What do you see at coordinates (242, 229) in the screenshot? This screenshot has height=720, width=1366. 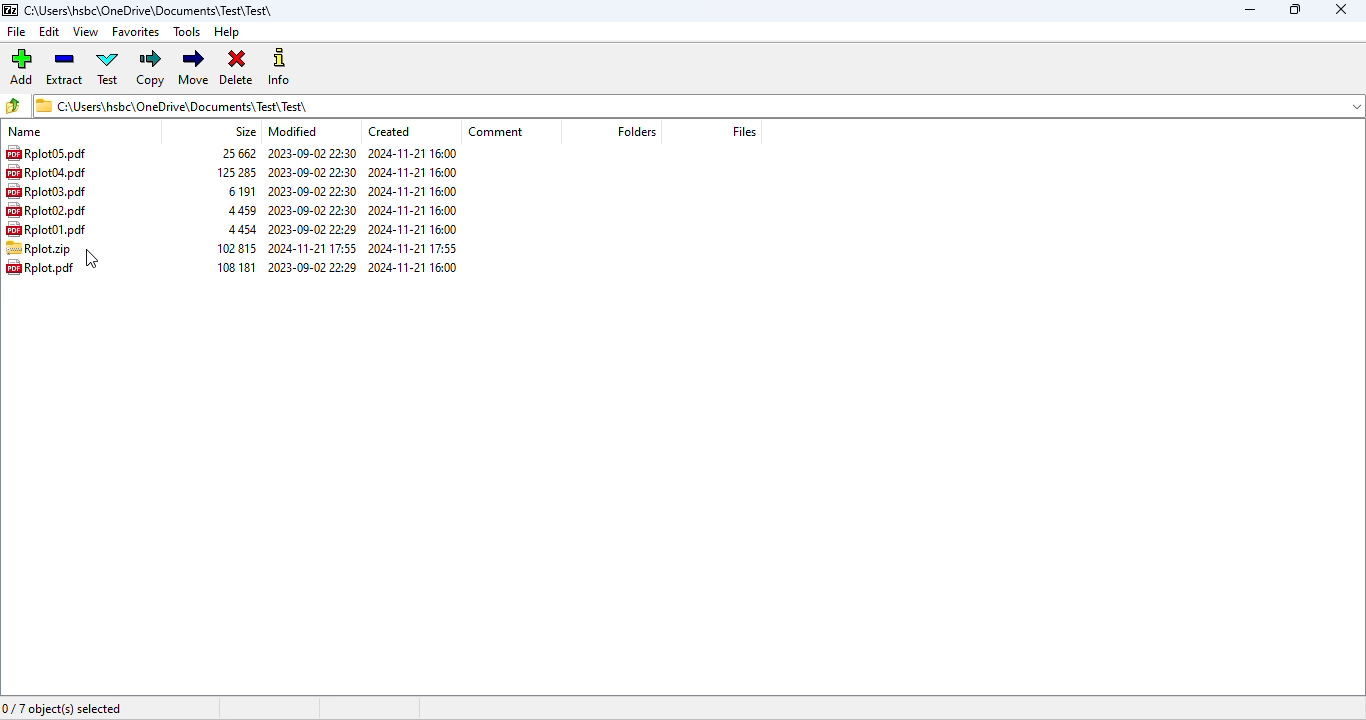 I see `4454` at bounding box center [242, 229].